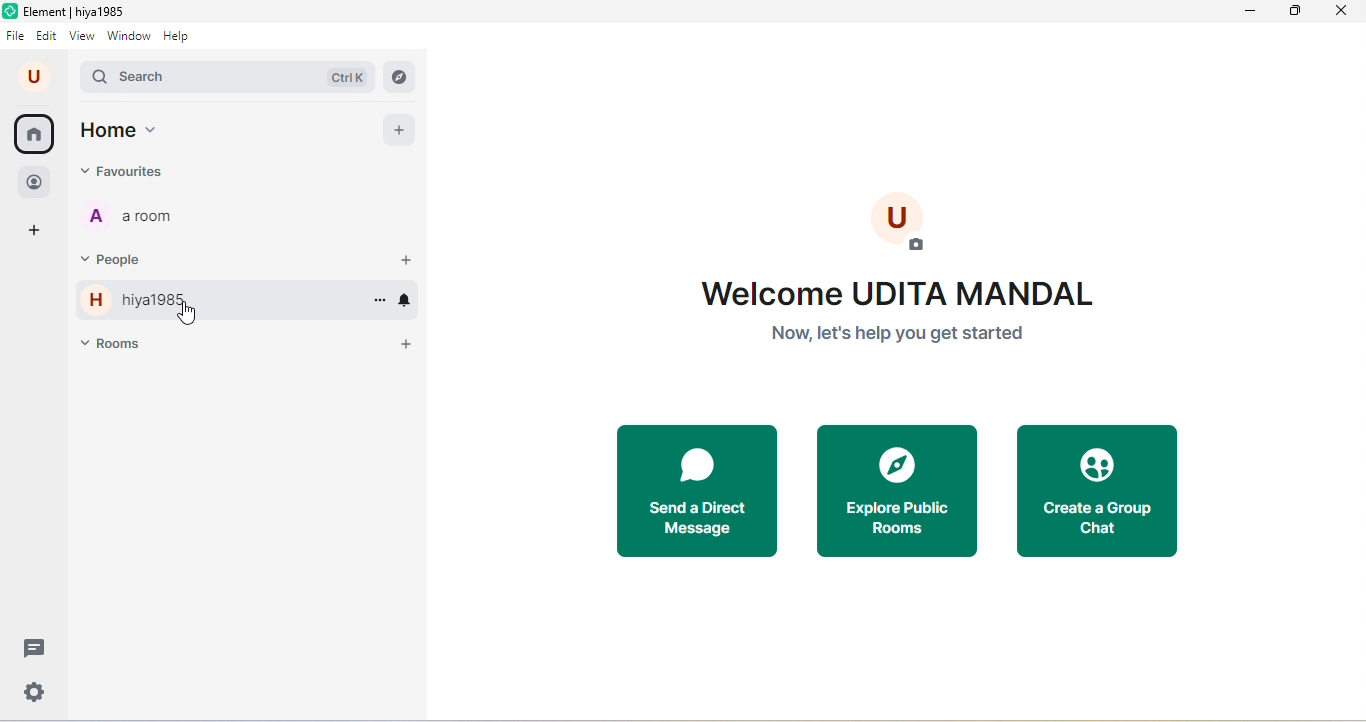 The image size is (1366, 722). Describe the element at coordinates (406, 259) in the screenshot. I see `Add People ` at that location.